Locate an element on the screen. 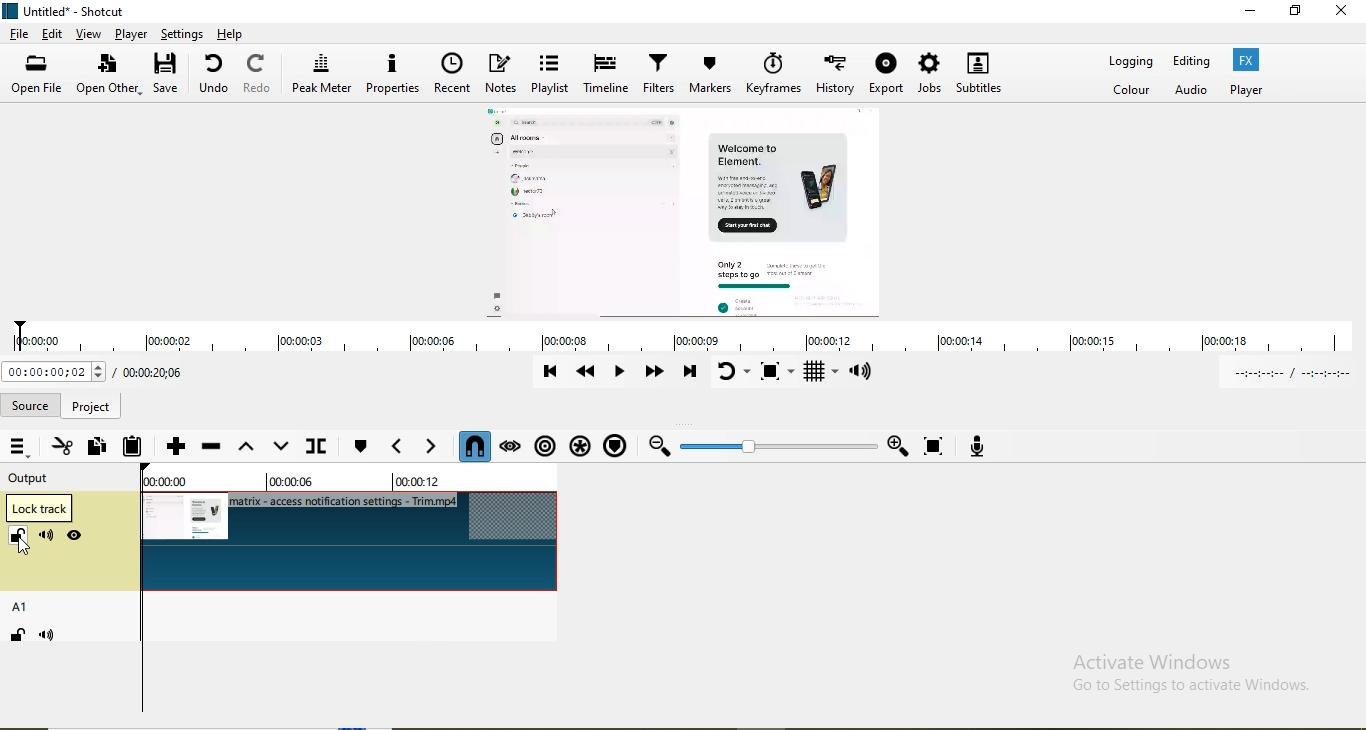 This screenshot has height=730, width=1366. Cut is located at coordinates (63, 447).